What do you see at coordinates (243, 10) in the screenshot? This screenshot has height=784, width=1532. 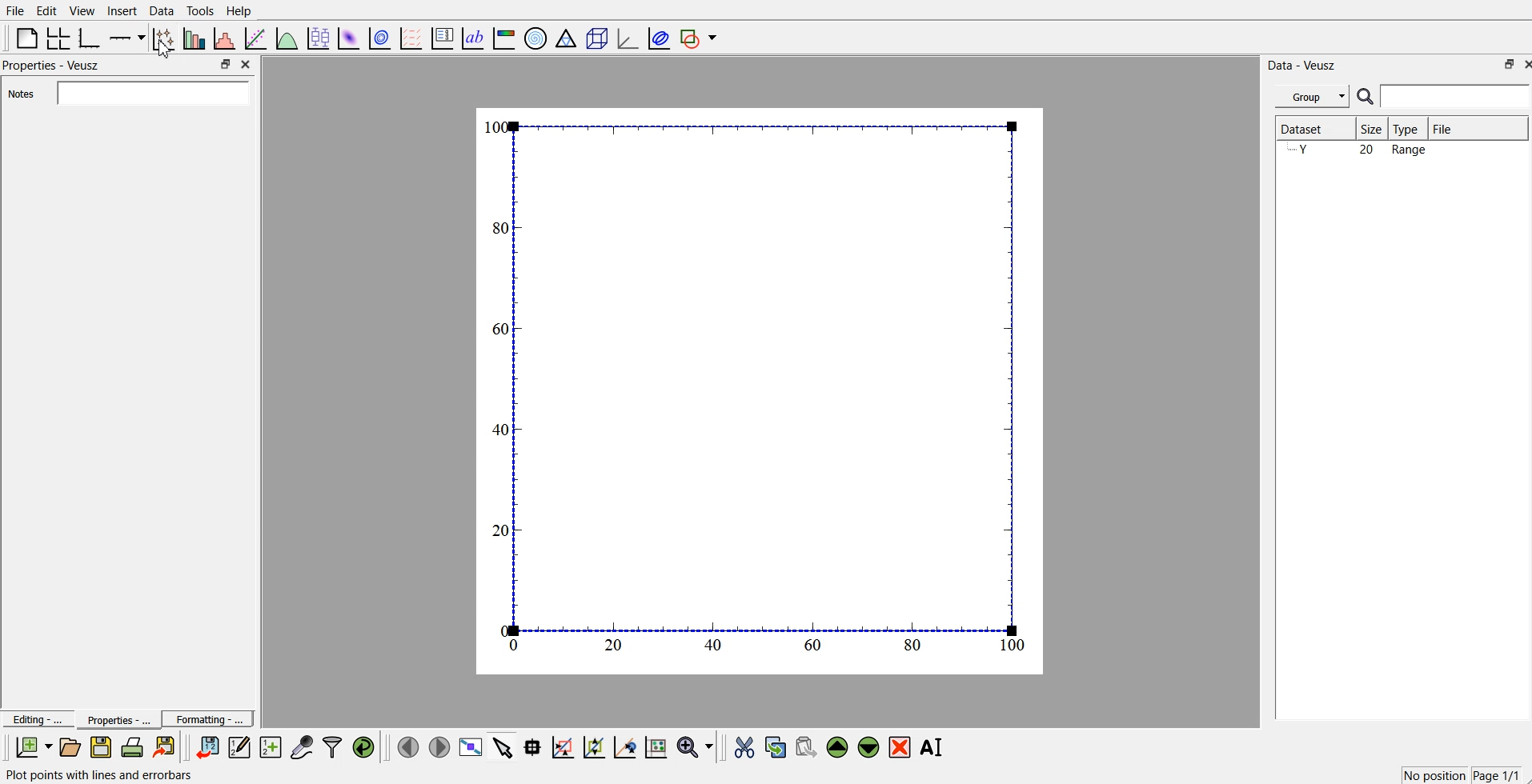 I see `Help` at bounding box center [243, 10].